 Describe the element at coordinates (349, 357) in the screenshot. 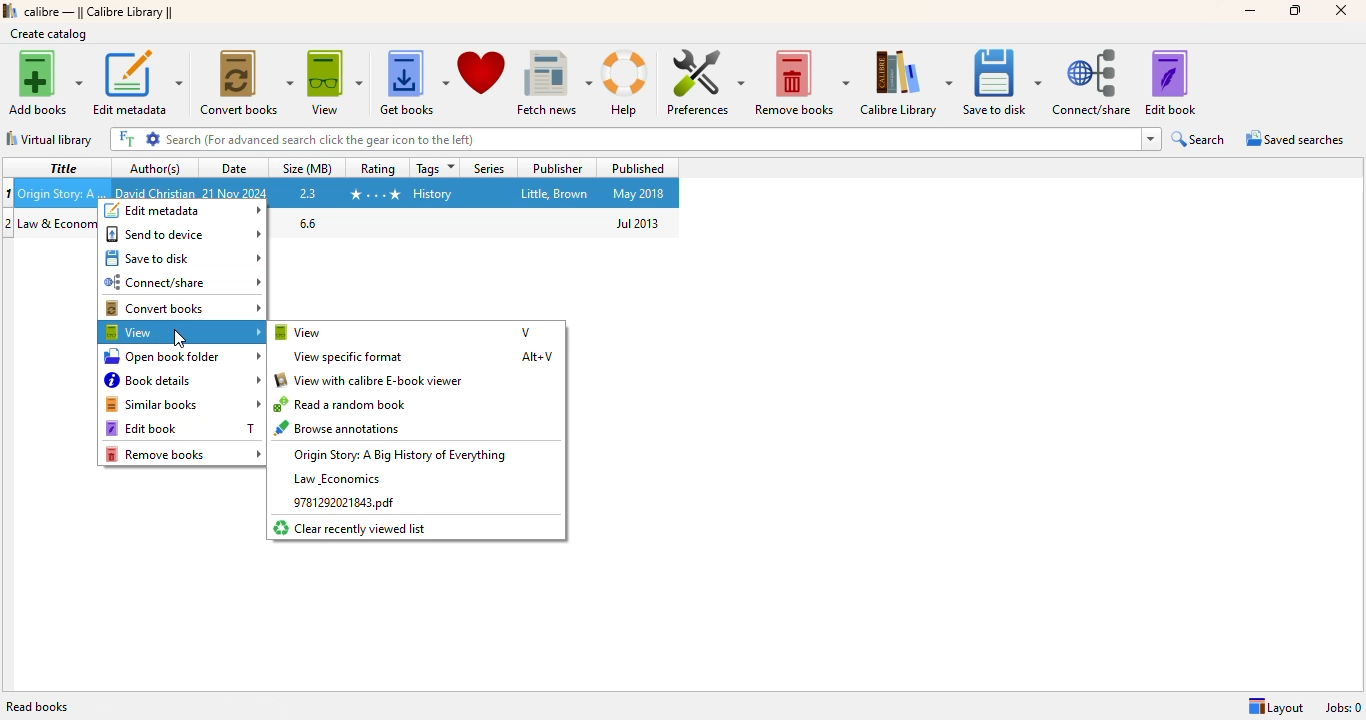

I see `view specific format` at that location.